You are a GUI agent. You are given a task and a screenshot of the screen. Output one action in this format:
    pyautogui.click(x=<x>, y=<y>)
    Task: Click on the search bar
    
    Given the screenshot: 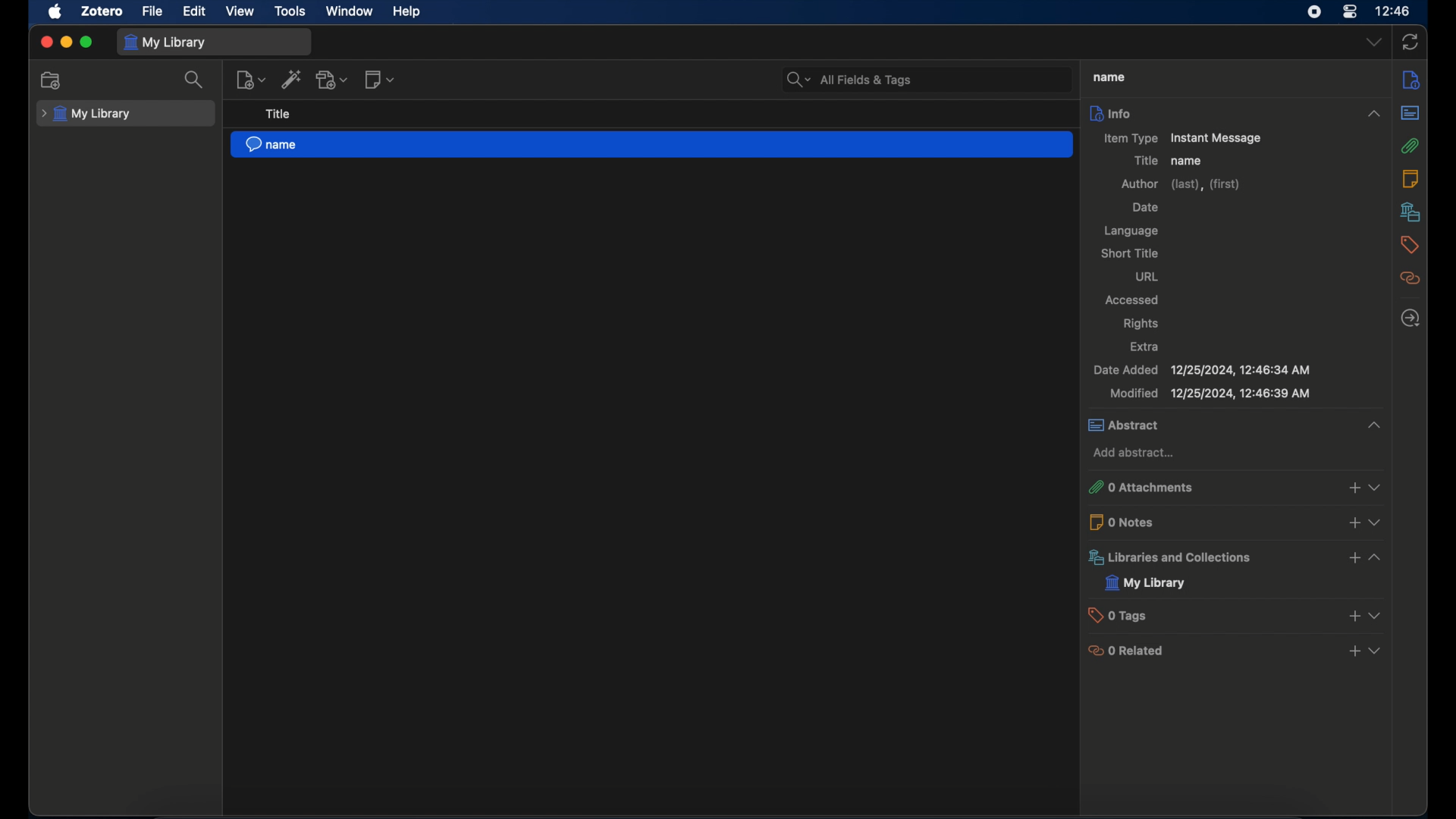 What is the action you would take?
    pyautogui.click(x=849, y=78)
    